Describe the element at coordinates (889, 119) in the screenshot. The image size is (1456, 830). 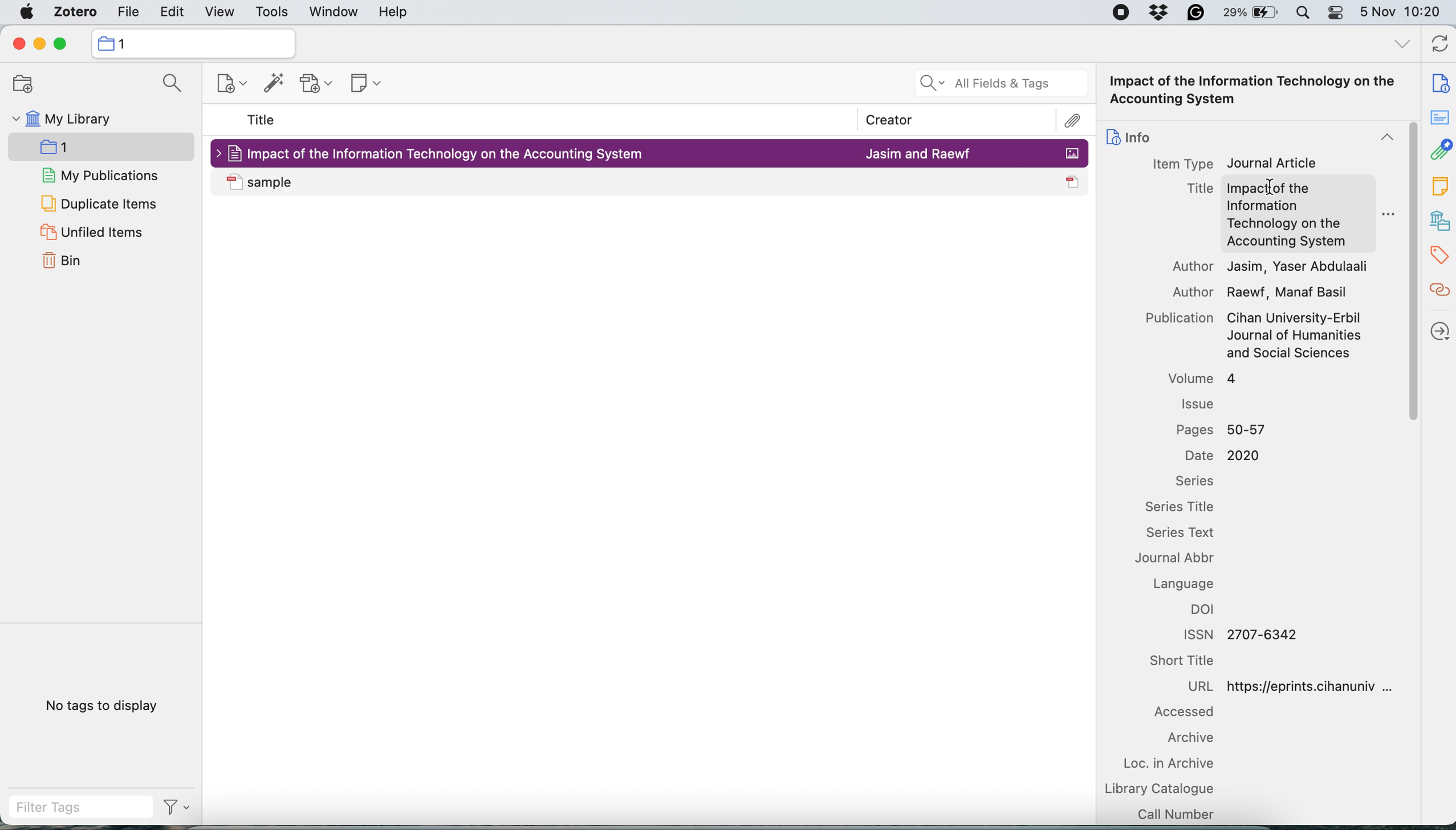
I see `creator` at that location.